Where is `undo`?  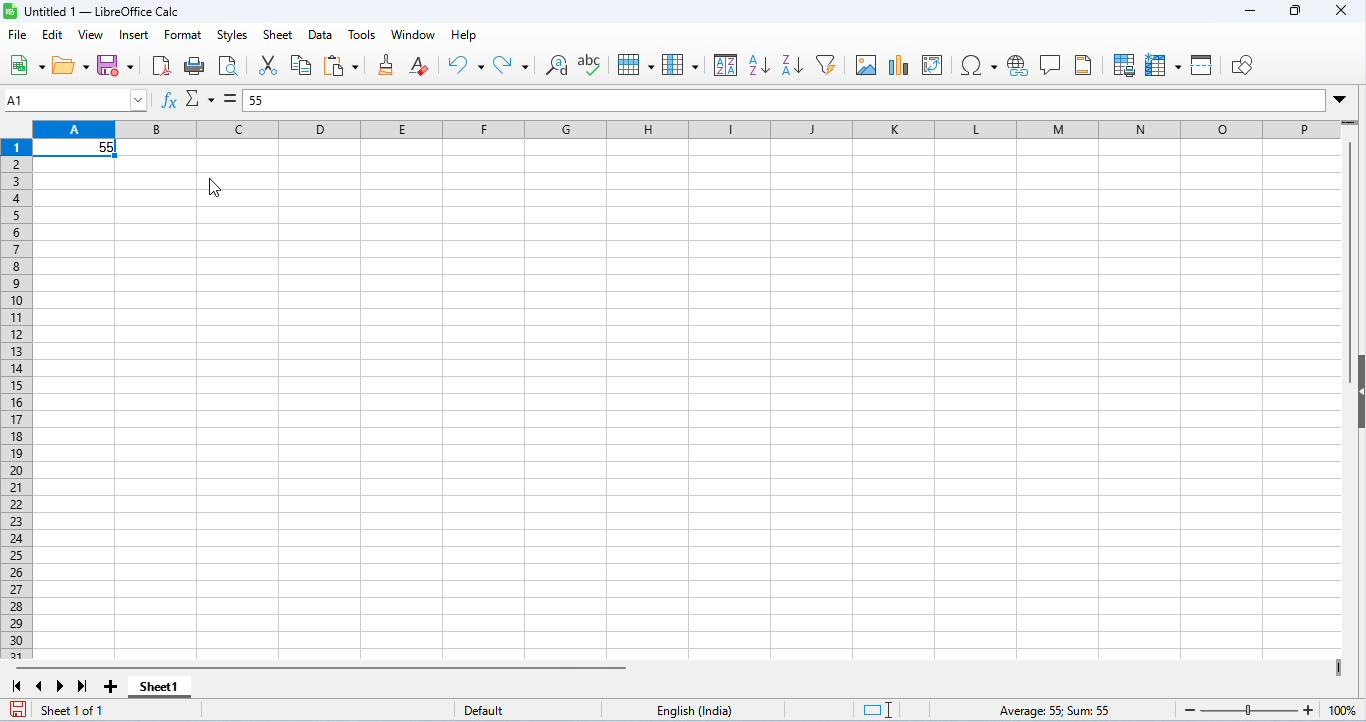 undo is located at coordinates (465, 65).